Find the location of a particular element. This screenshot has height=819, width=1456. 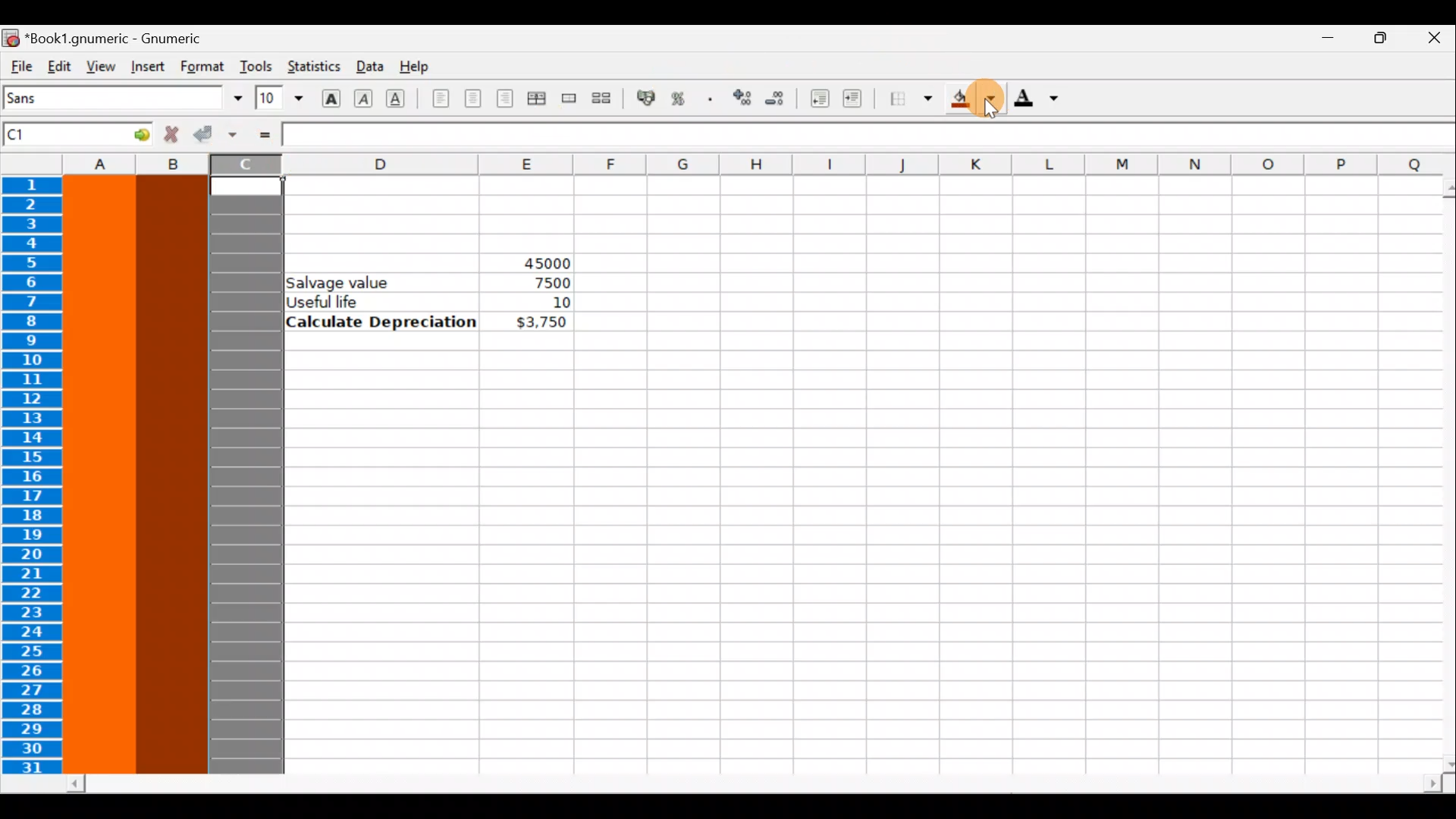

Tools is located at coordinates (256, 66).